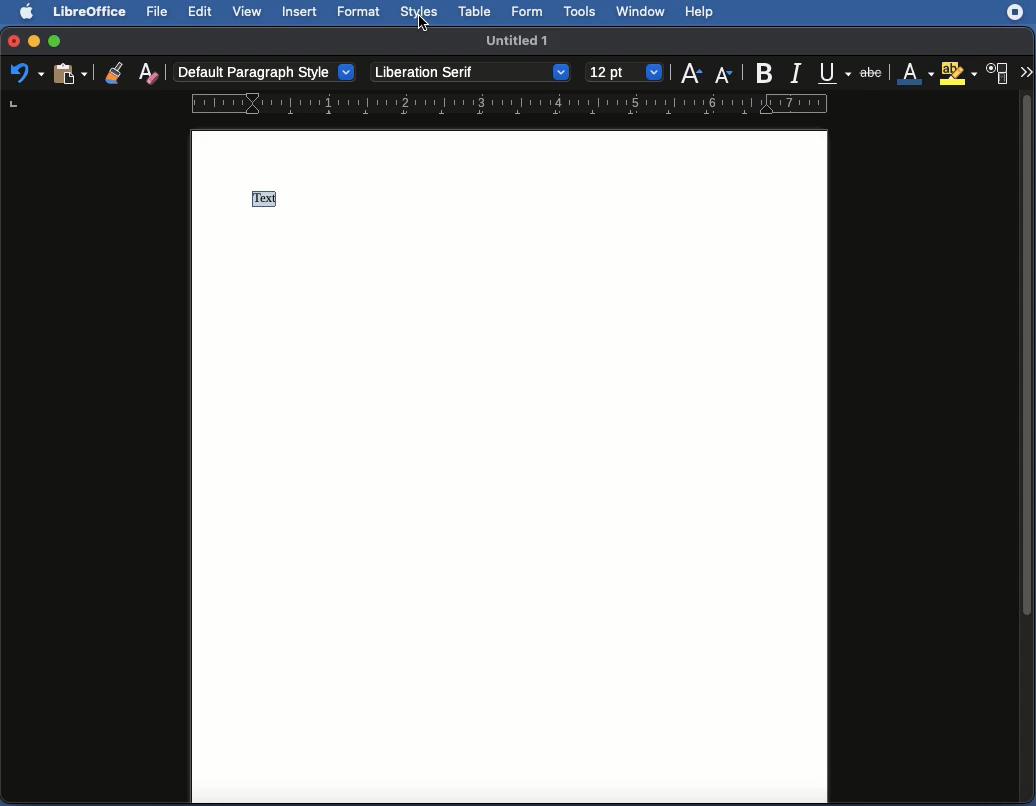 The width and height of the screenshot is (1036, 806). I want to click on Character, so click(998, 74).